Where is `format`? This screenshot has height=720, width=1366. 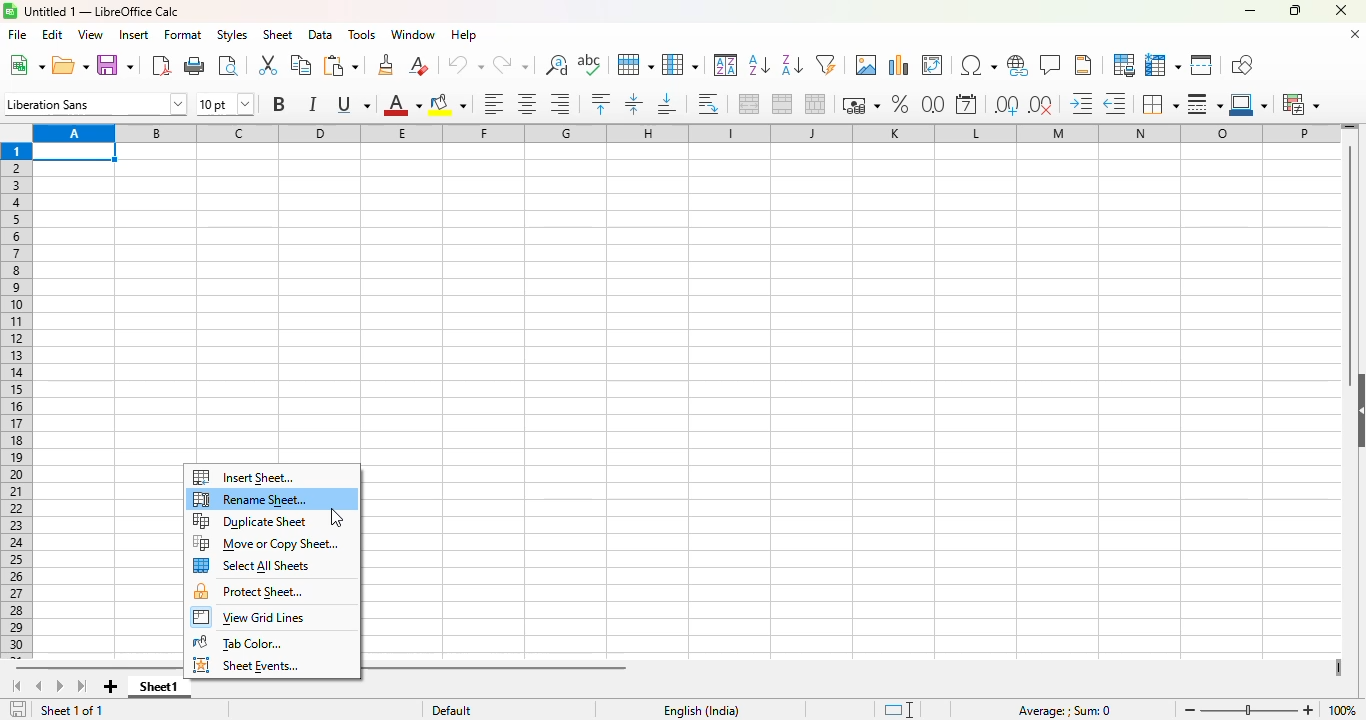
format is located at coordinates (183, 35).